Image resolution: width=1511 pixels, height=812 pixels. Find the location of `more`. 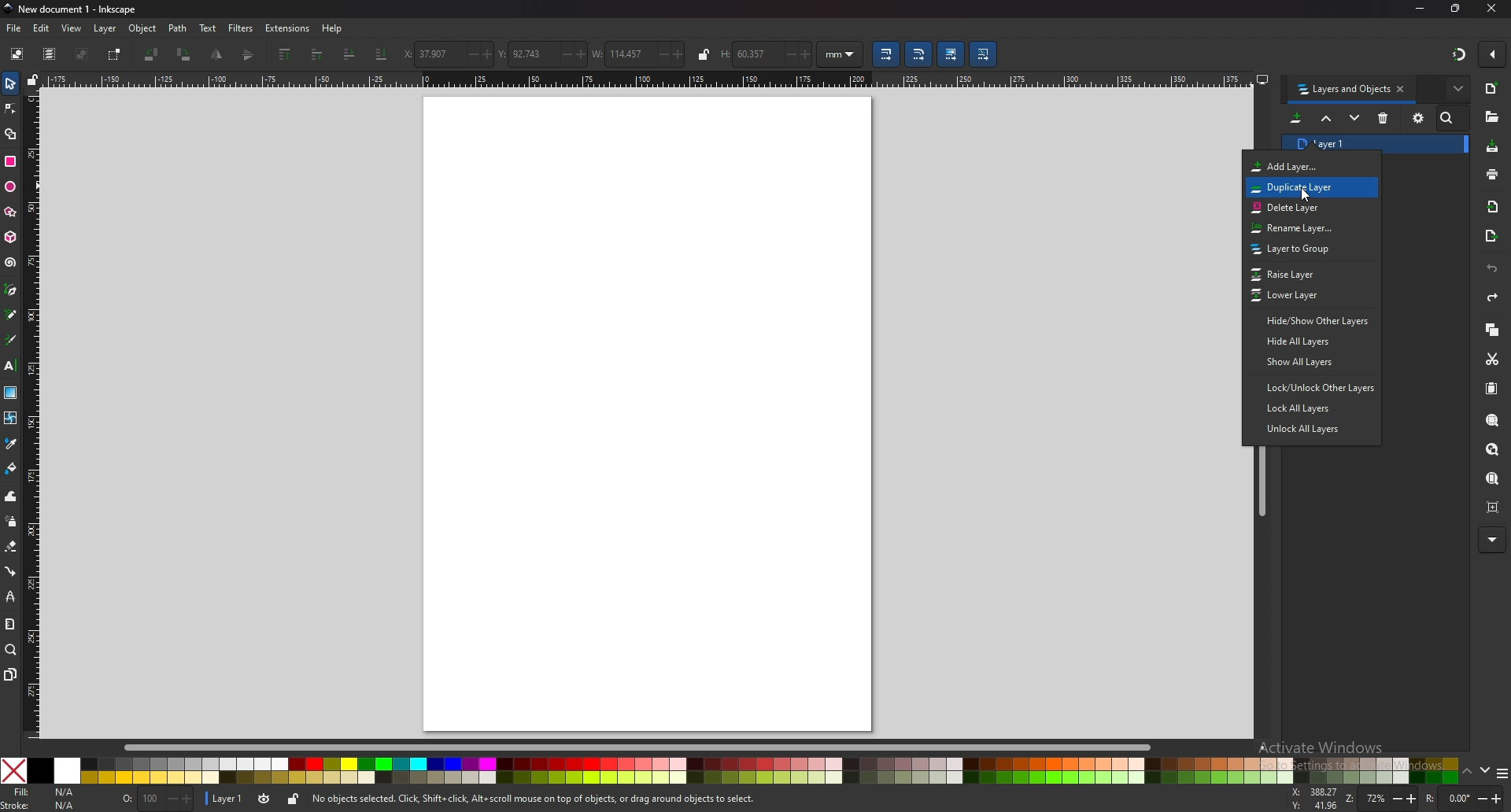

more is located at coordinates (1458, 88).